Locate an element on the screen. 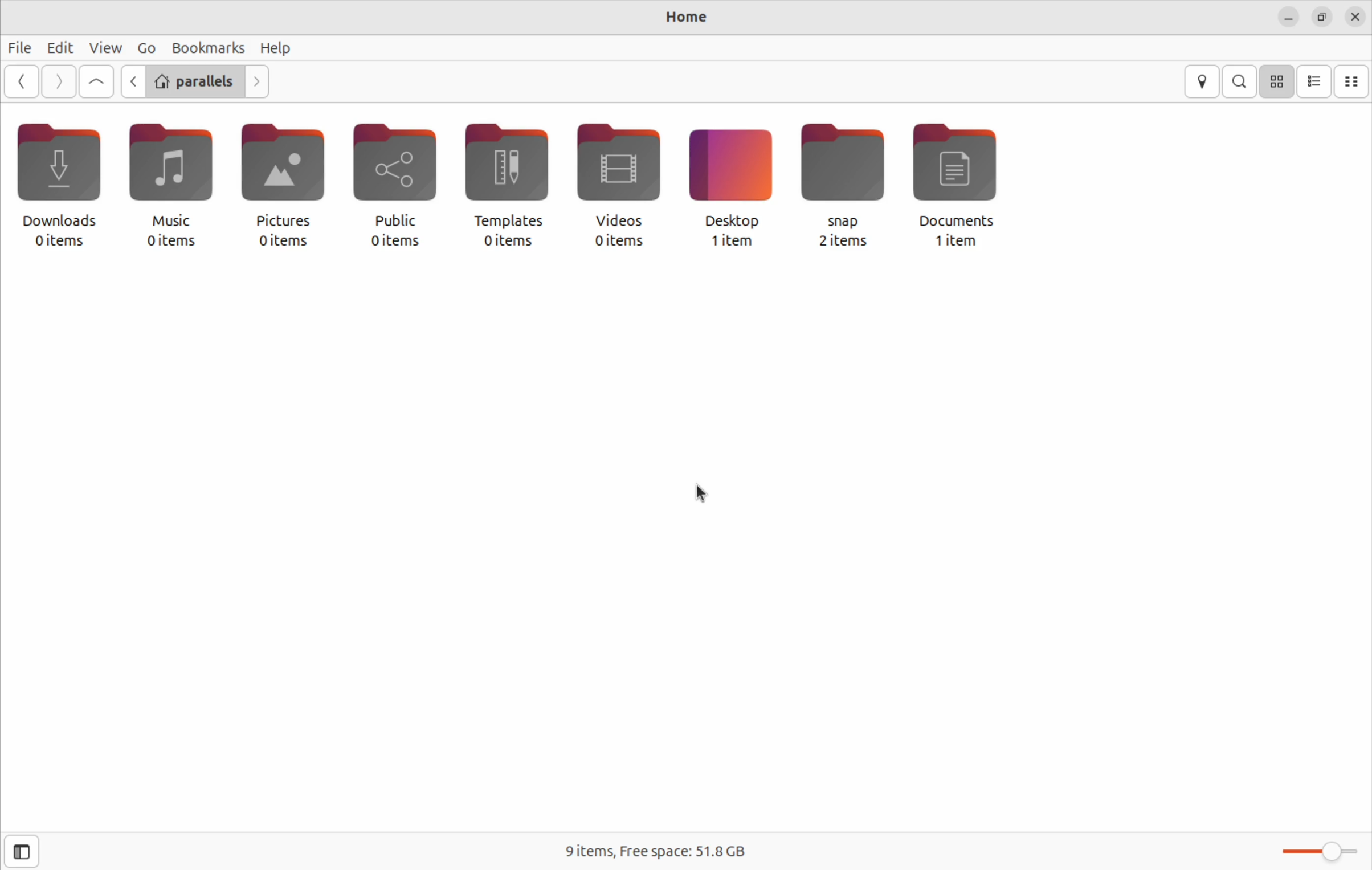 Image resolution: width=1372 pixels, height=870 pixels. 1 item is located at coordinates (730, 242).